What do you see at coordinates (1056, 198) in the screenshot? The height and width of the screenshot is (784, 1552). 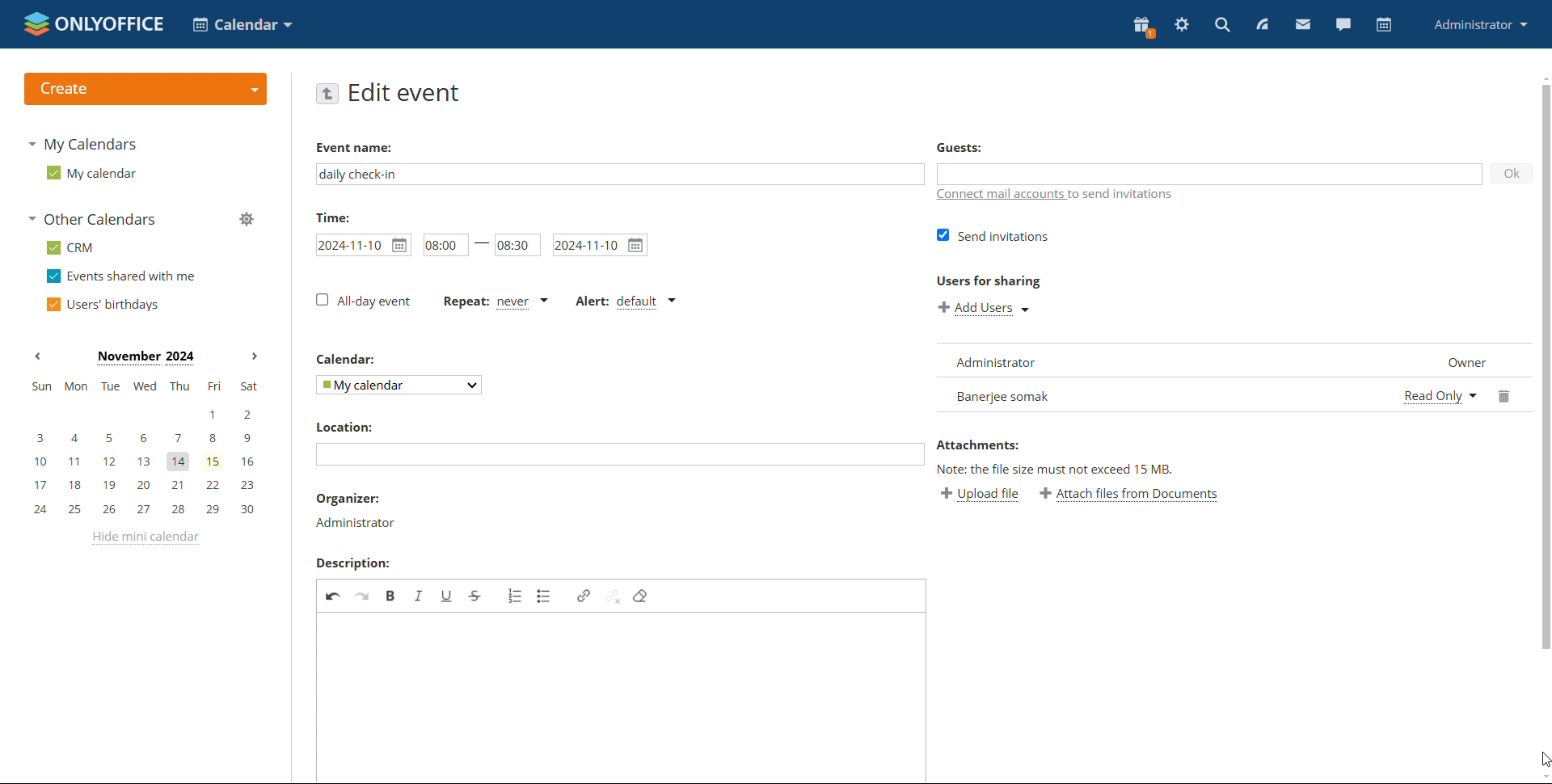 I see `connect mail accounts` at bounding box center [1056, 198].